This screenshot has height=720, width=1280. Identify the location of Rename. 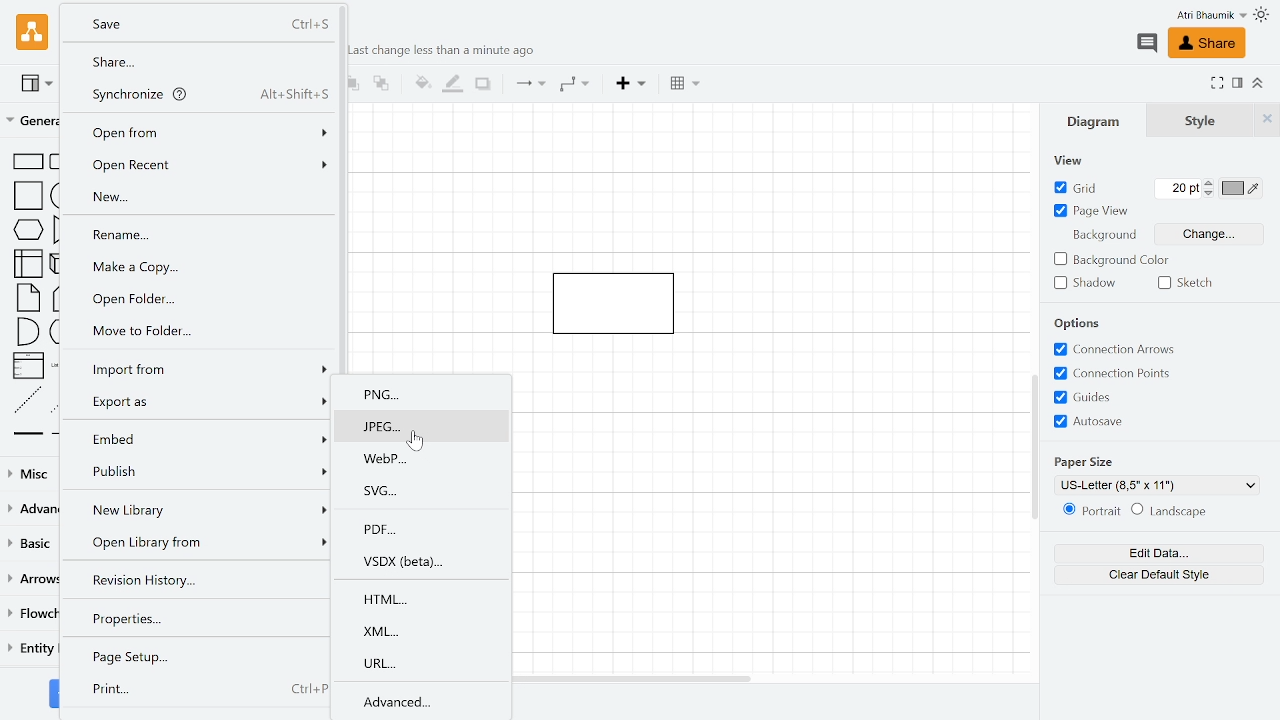
(202, 233).